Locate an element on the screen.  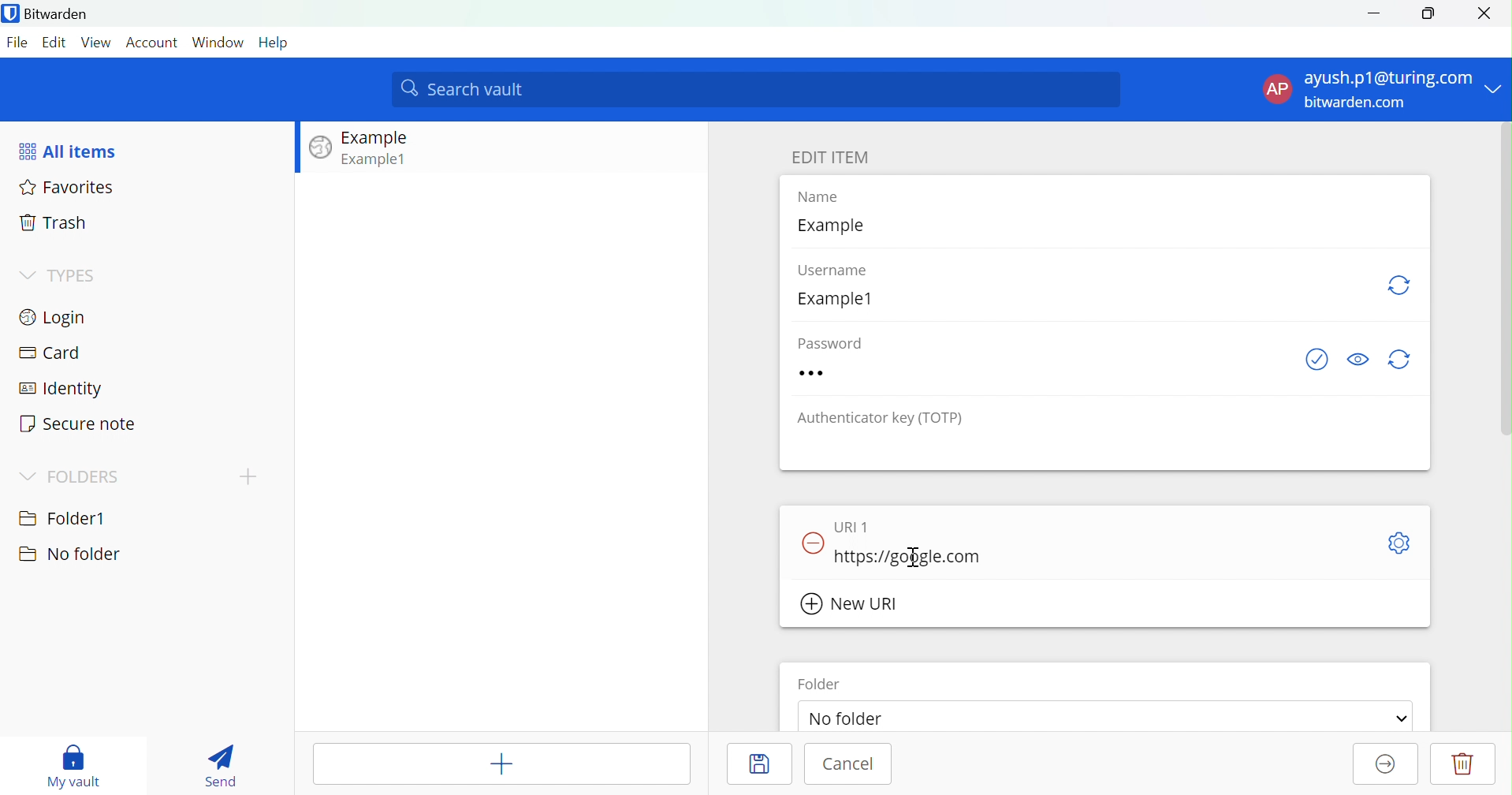
Move to Organization is located at coordinates (1382, 765).